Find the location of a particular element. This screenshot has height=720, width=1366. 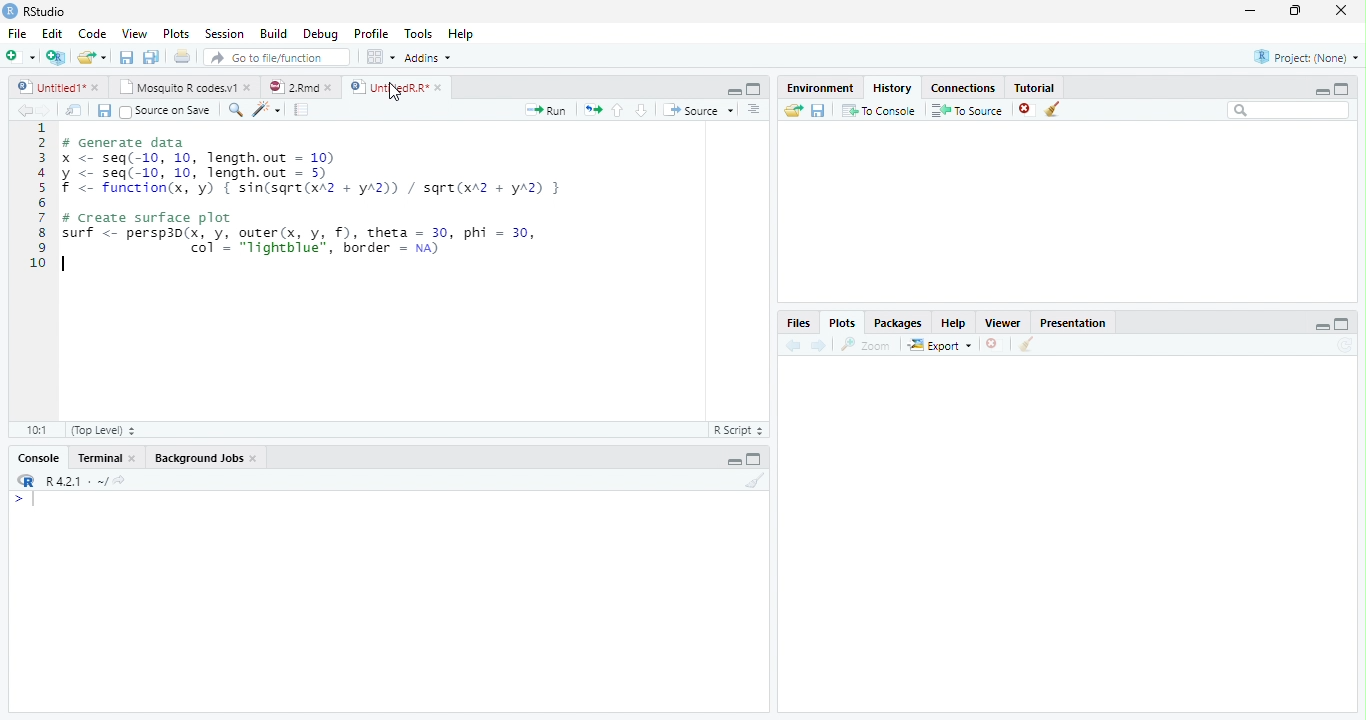

Profile is located at coordinates (372, 33).